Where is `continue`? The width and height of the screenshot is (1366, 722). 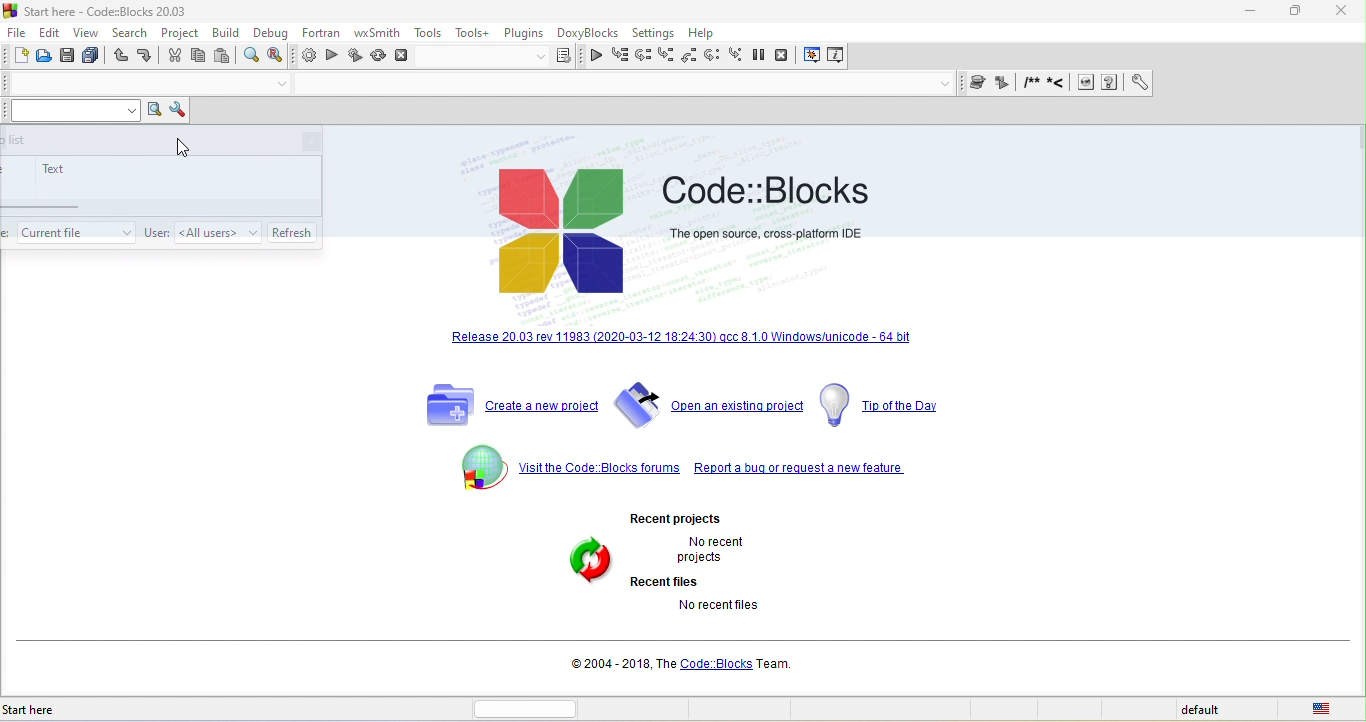 continue is located at coordinates (596, 58).